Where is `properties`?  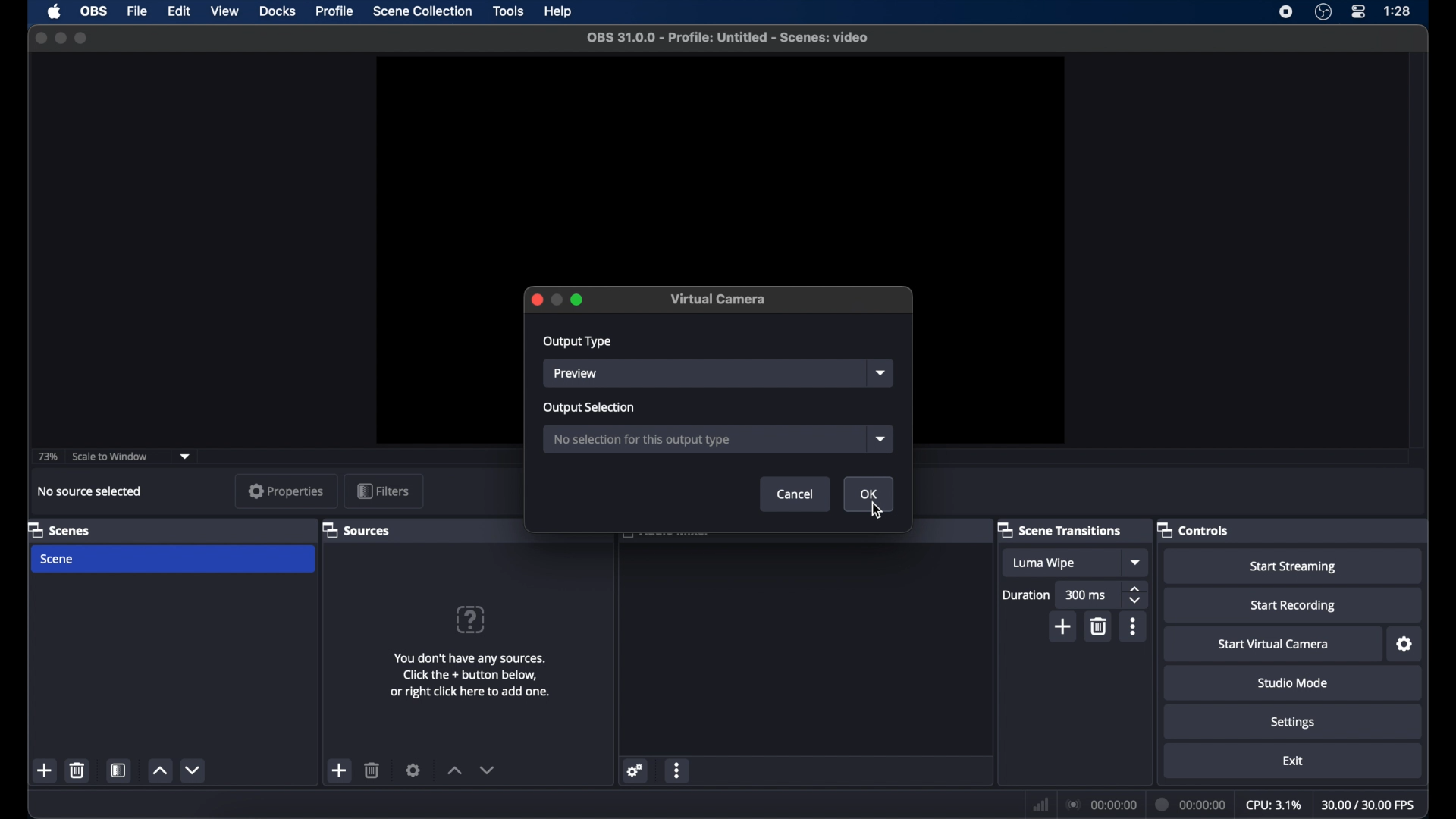 properties is located at coordinates (286, 491).